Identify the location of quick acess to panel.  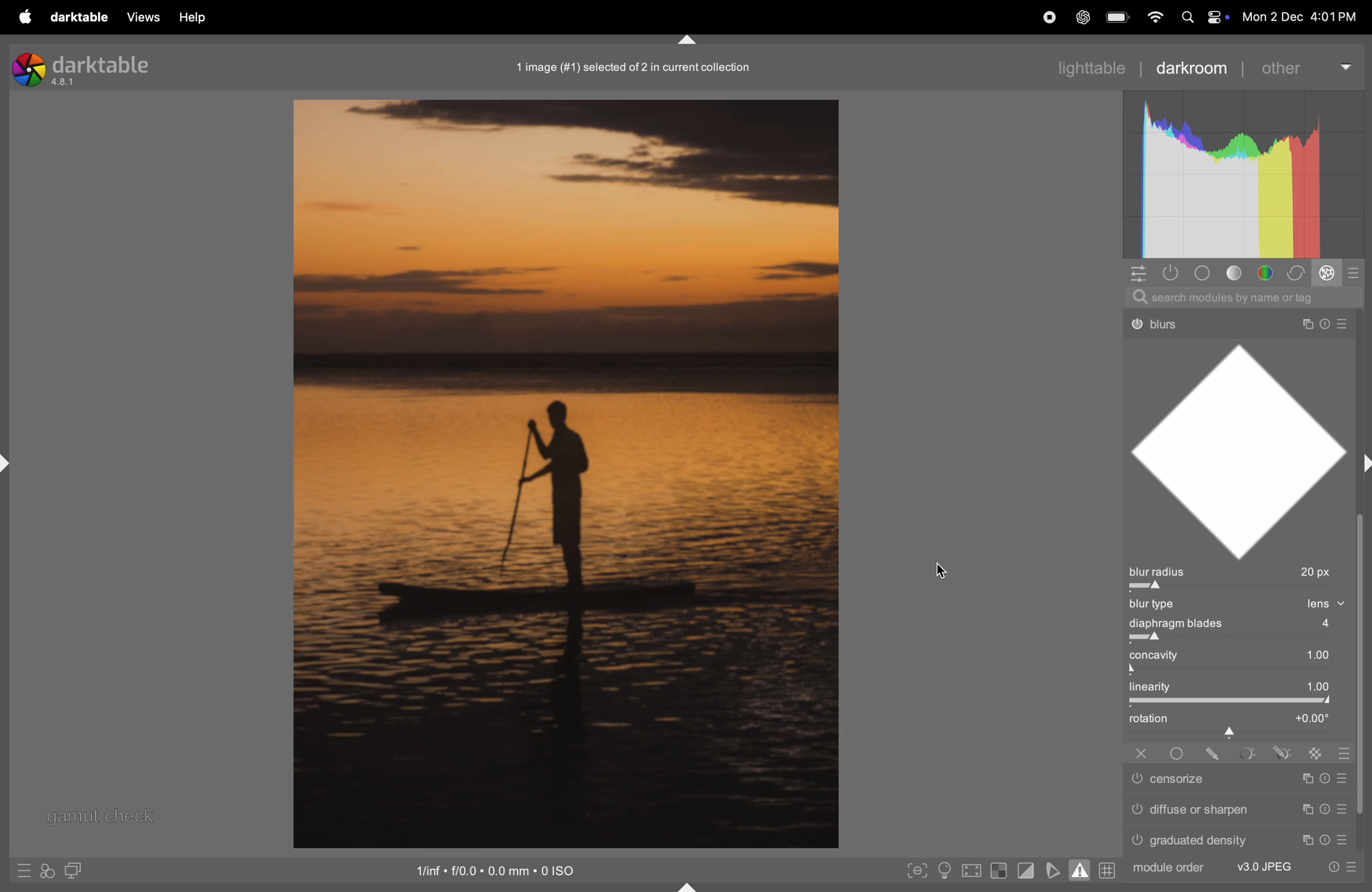
(1136, 275).